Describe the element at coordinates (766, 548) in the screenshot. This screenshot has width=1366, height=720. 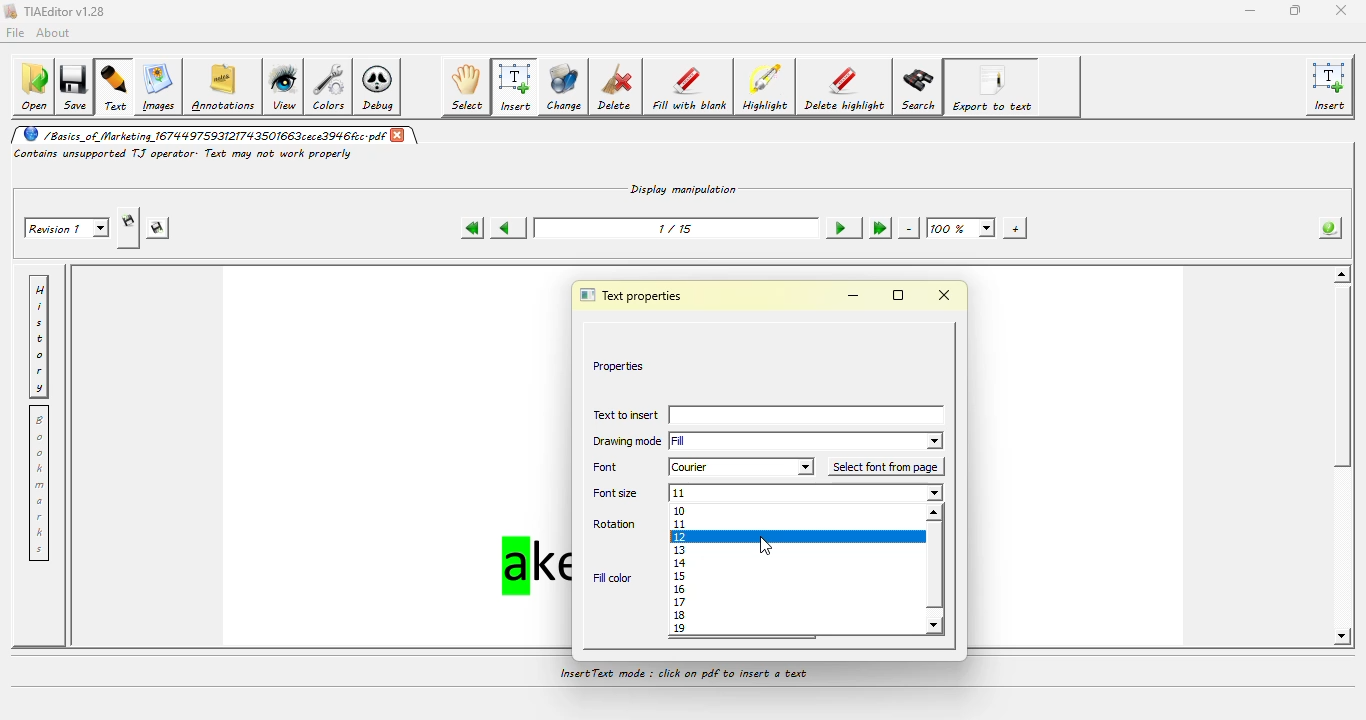
I see `cursor` at that location.